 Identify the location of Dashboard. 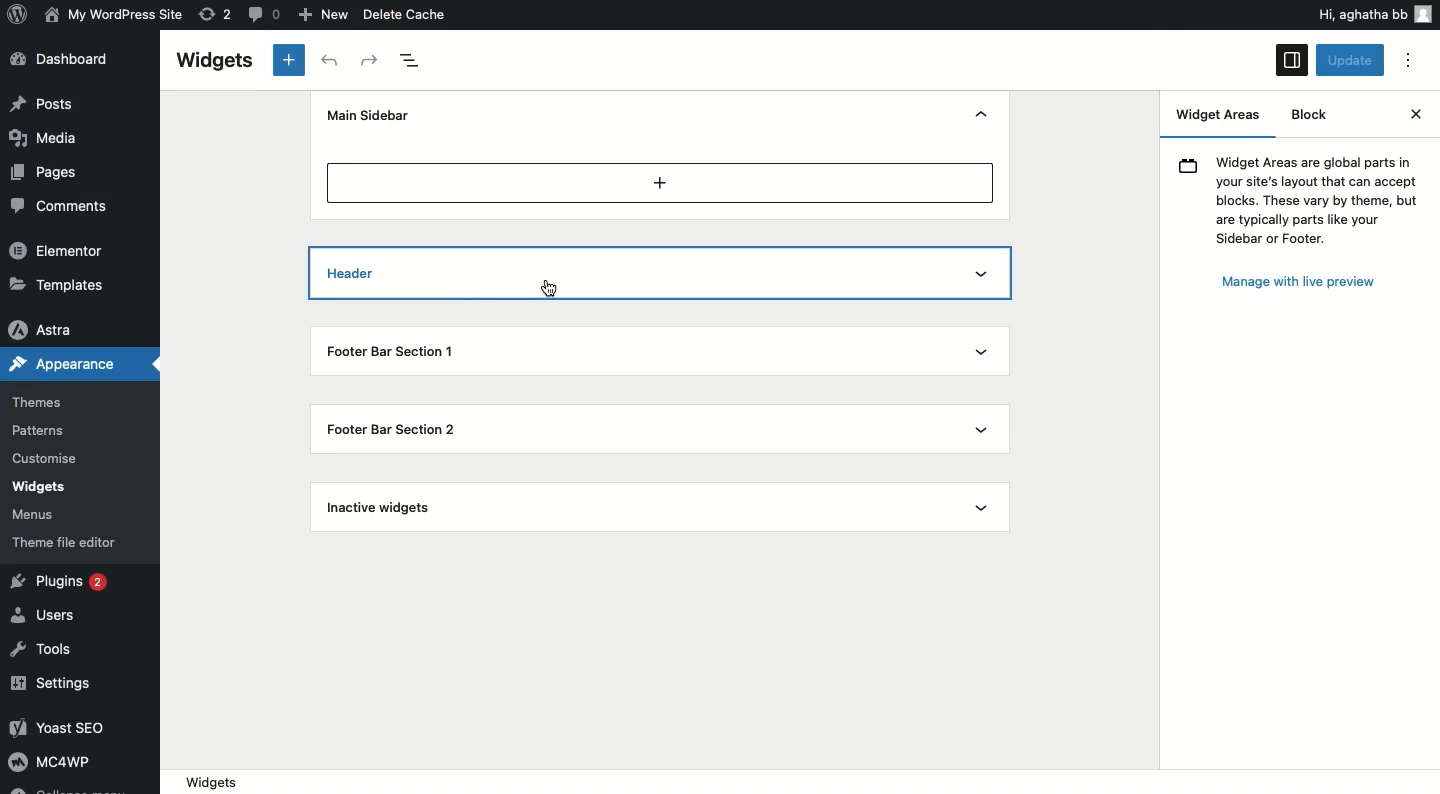
(67, 59).